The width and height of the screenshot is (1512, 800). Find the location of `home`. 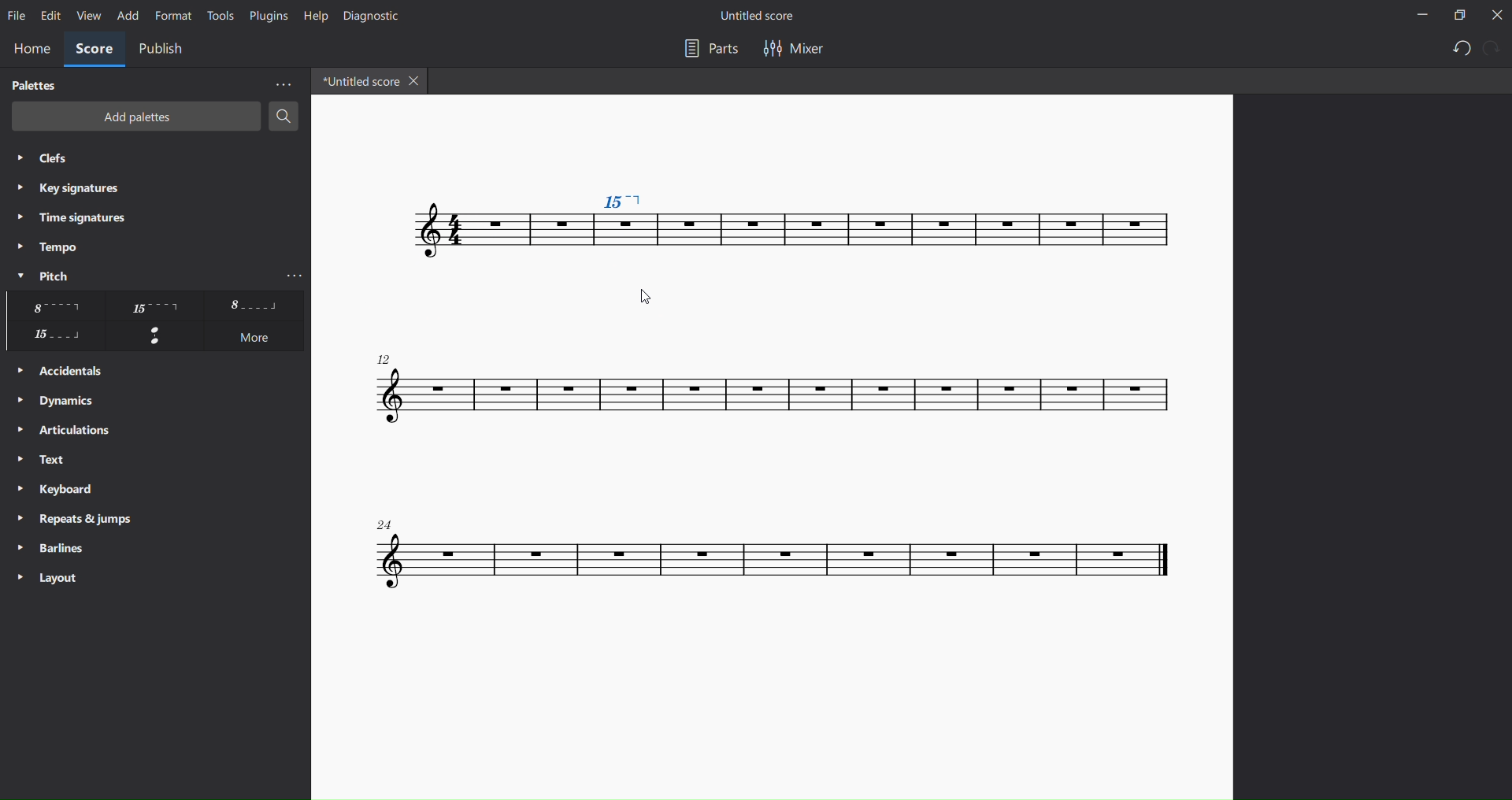

home is located at coordinates (28, 50).